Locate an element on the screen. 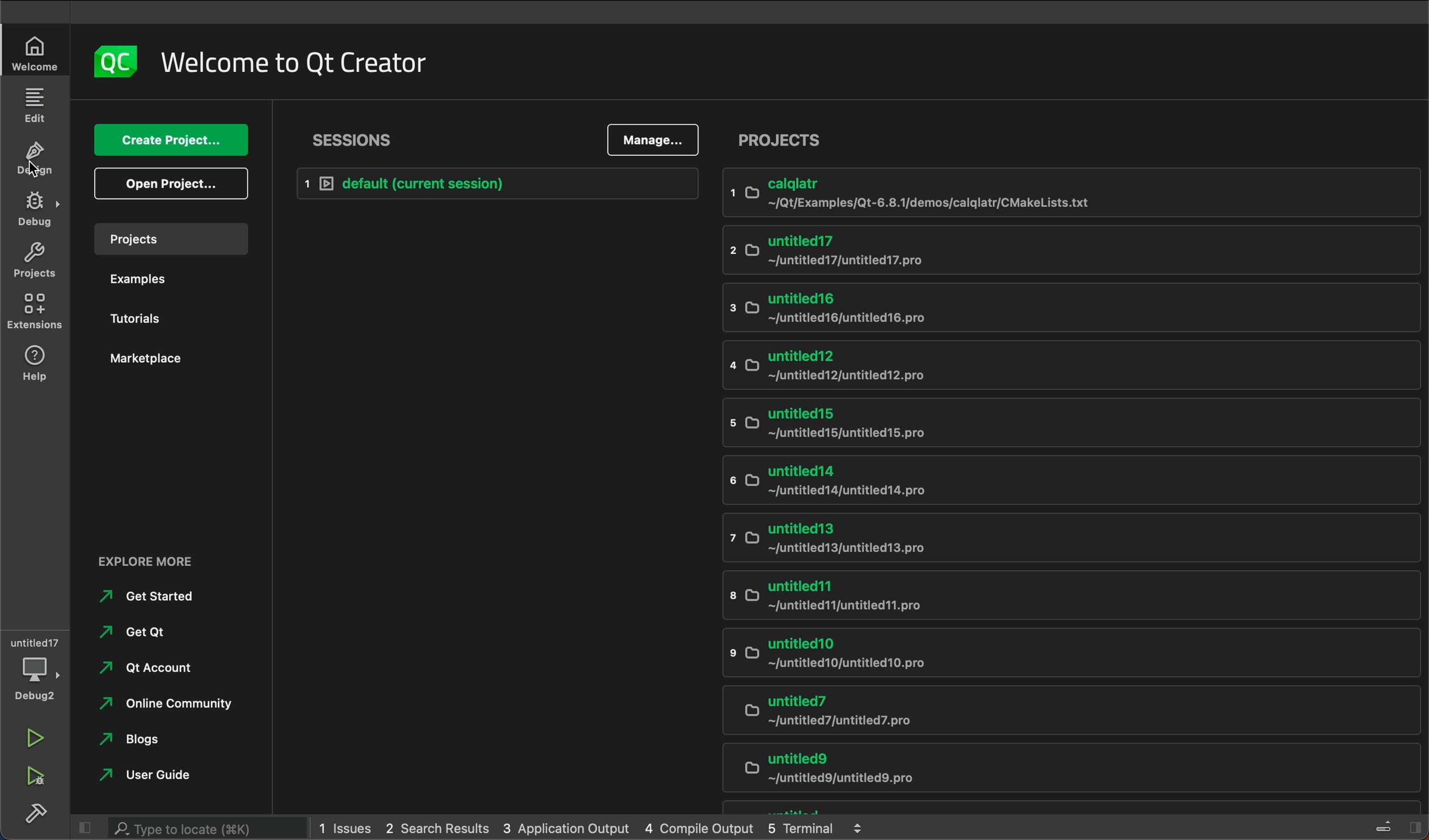   is located at coordinates (1385, 825).